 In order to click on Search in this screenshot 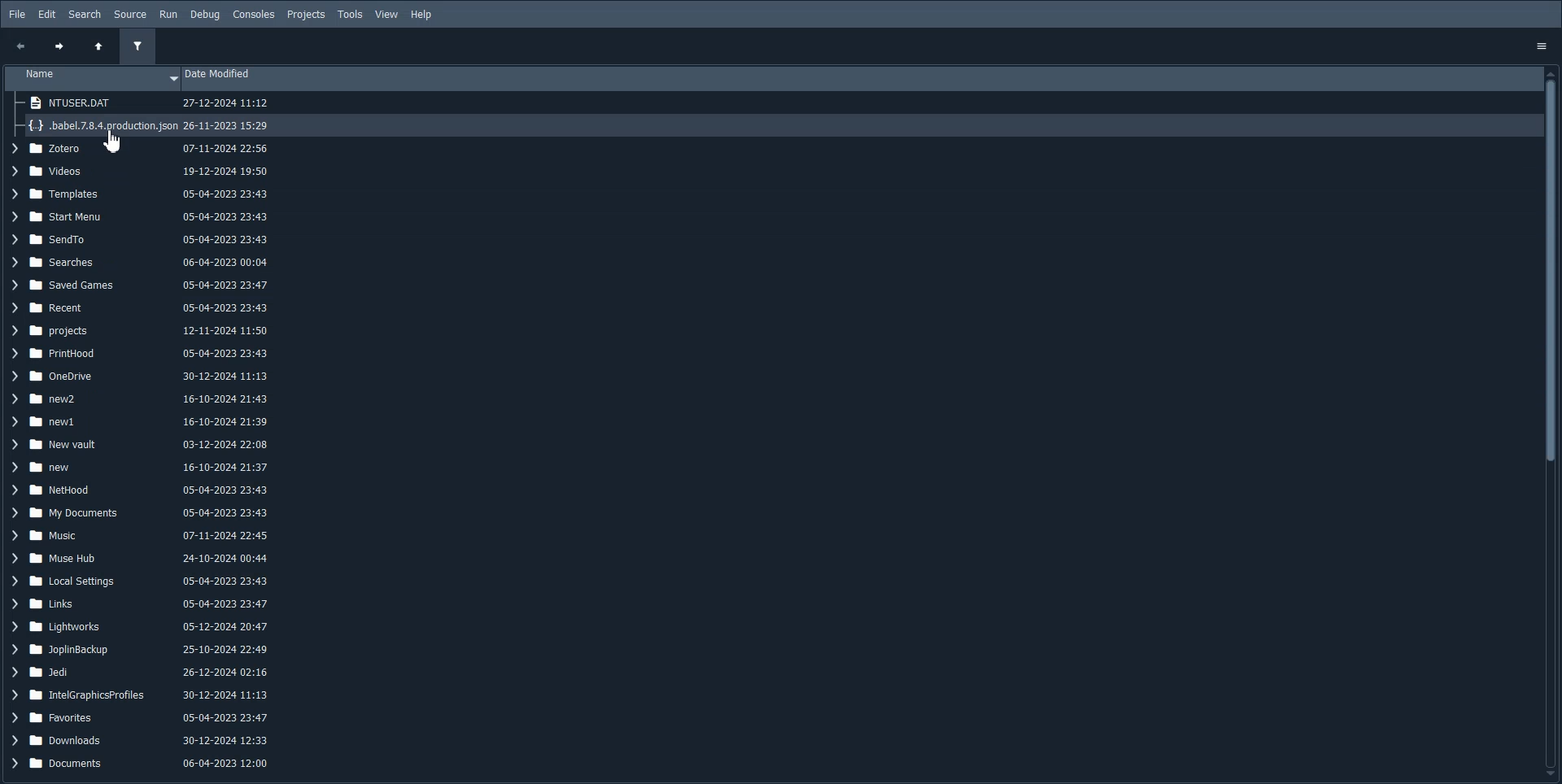, I will do `click(85, 15)`.